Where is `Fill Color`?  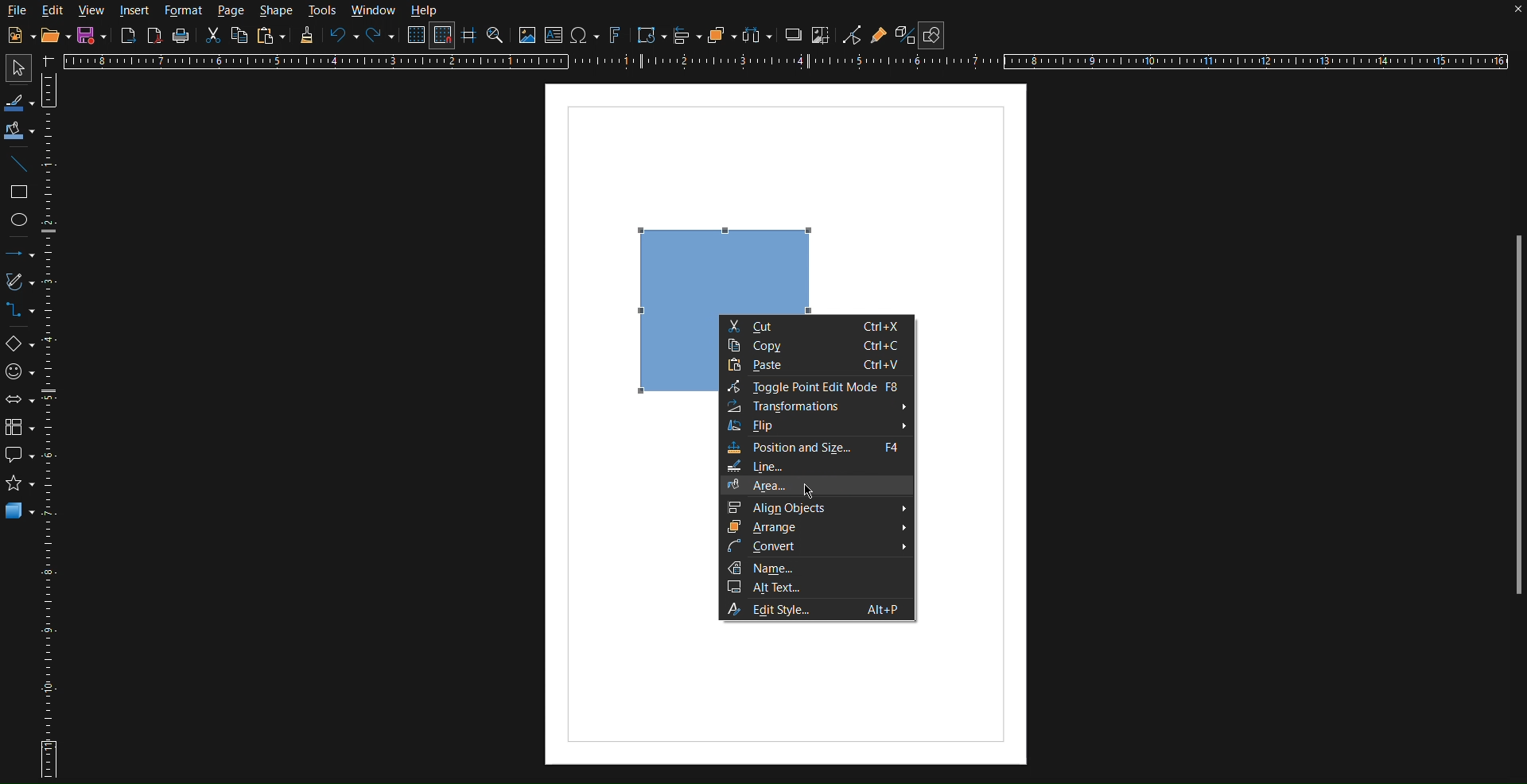
Fill Color is located at coordinates (19, 130).